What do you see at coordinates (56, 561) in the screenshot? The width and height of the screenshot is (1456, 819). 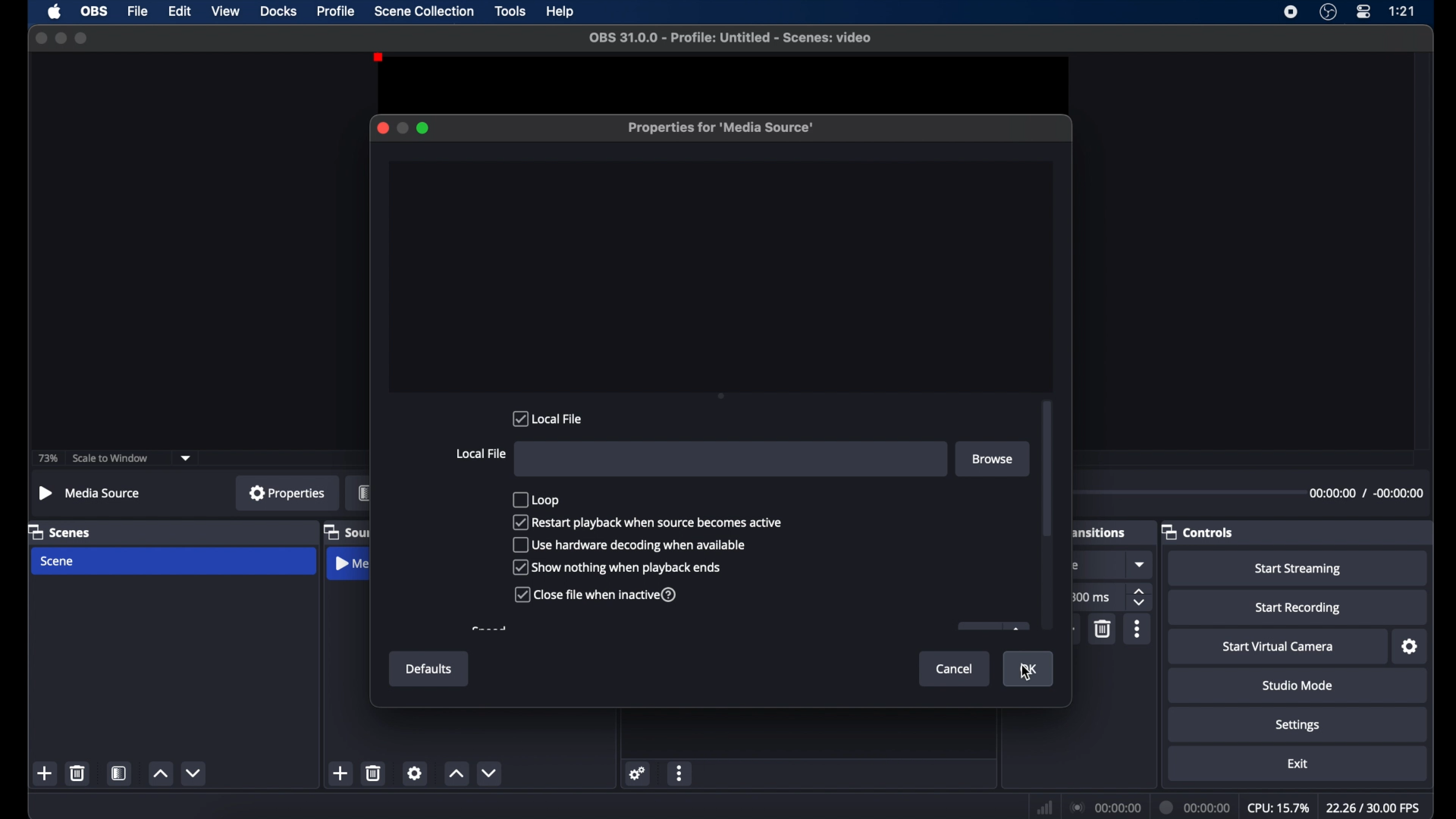 I see `scene` at bounding box center [56, 561].